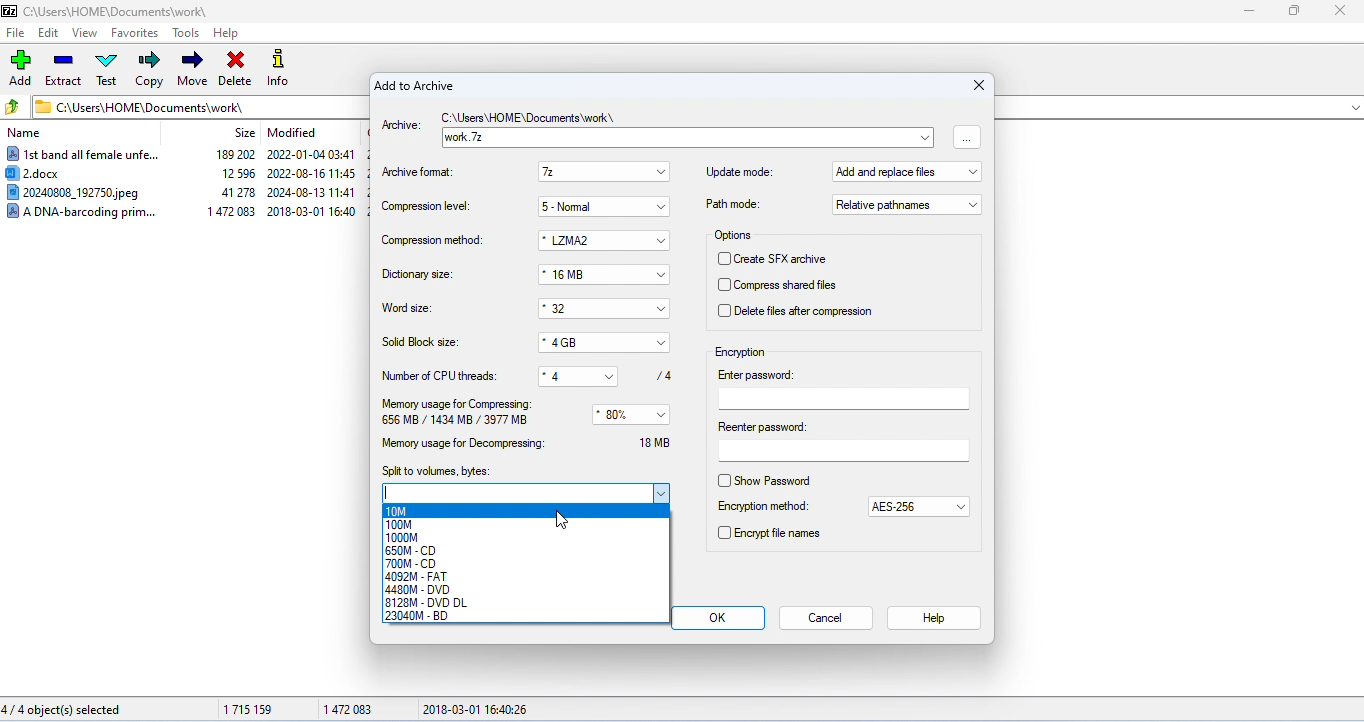 The width and height of the screenshot is (1364, 722). Describe the element at coordinates (591, 206) in the screenshot. I see `5-Normal` at that location.